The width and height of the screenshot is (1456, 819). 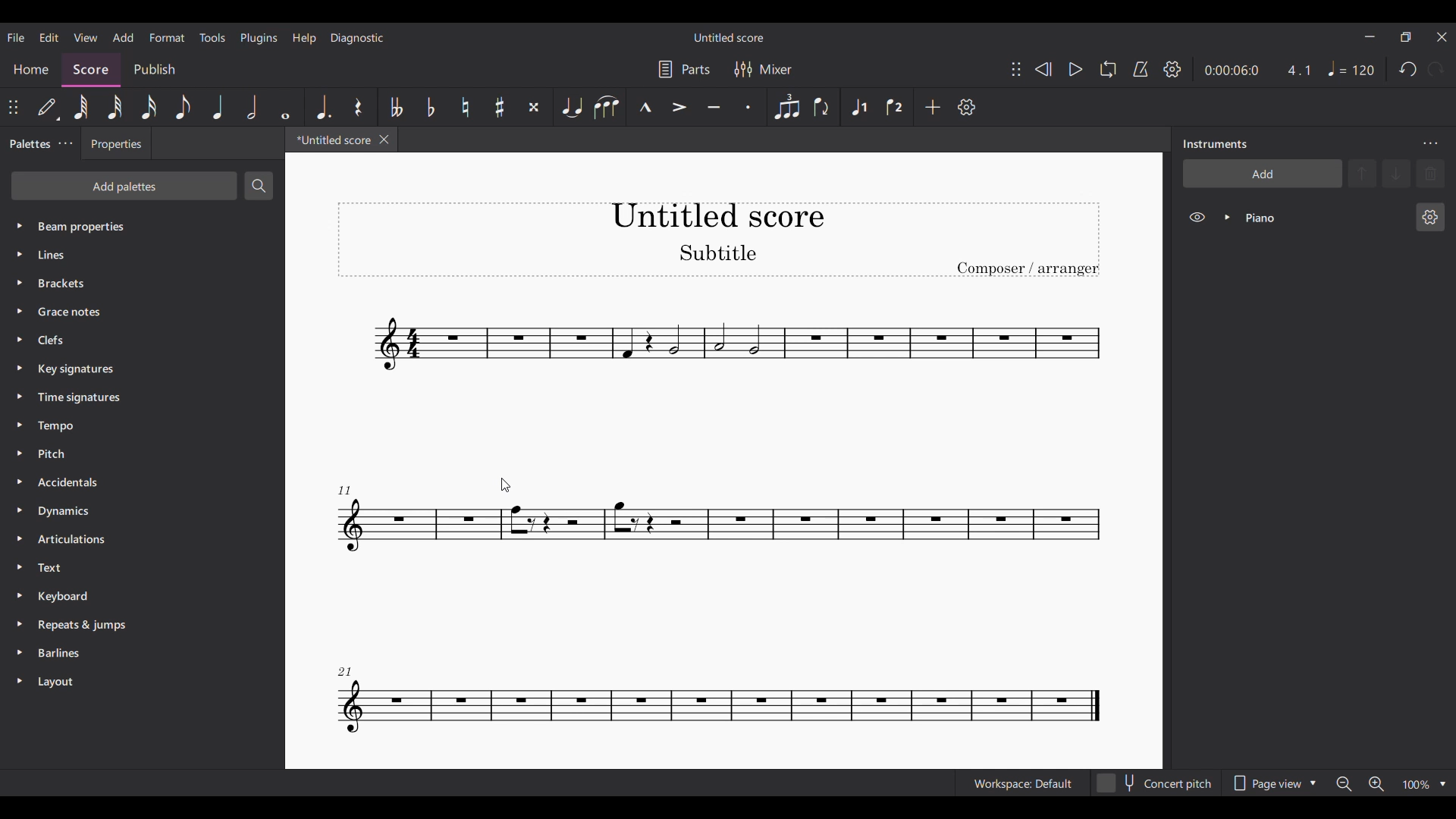 I want to click on 32nd note, so click(x=115, y=107).